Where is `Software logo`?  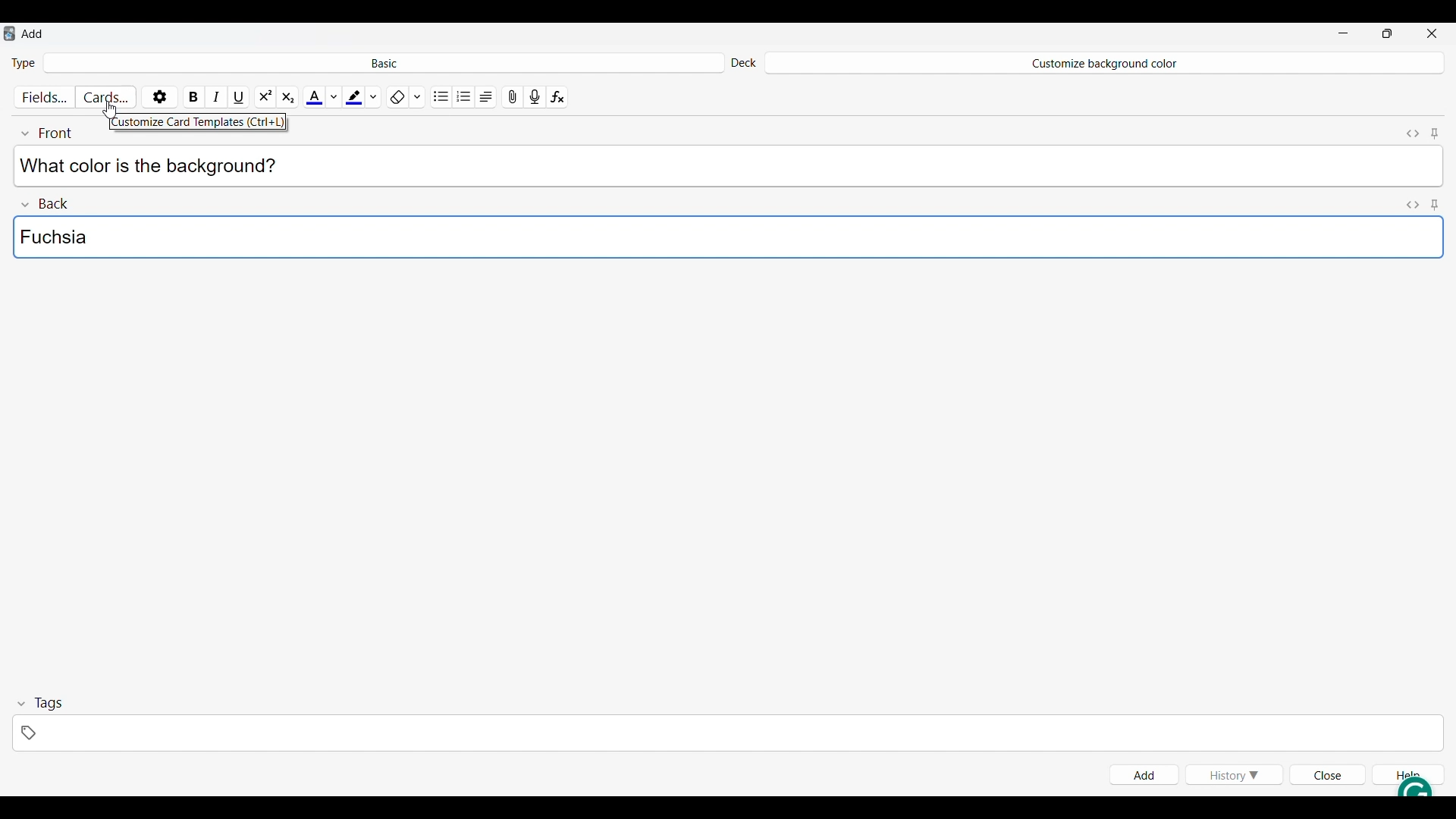 Software logo is located at coordinates (9, 33).